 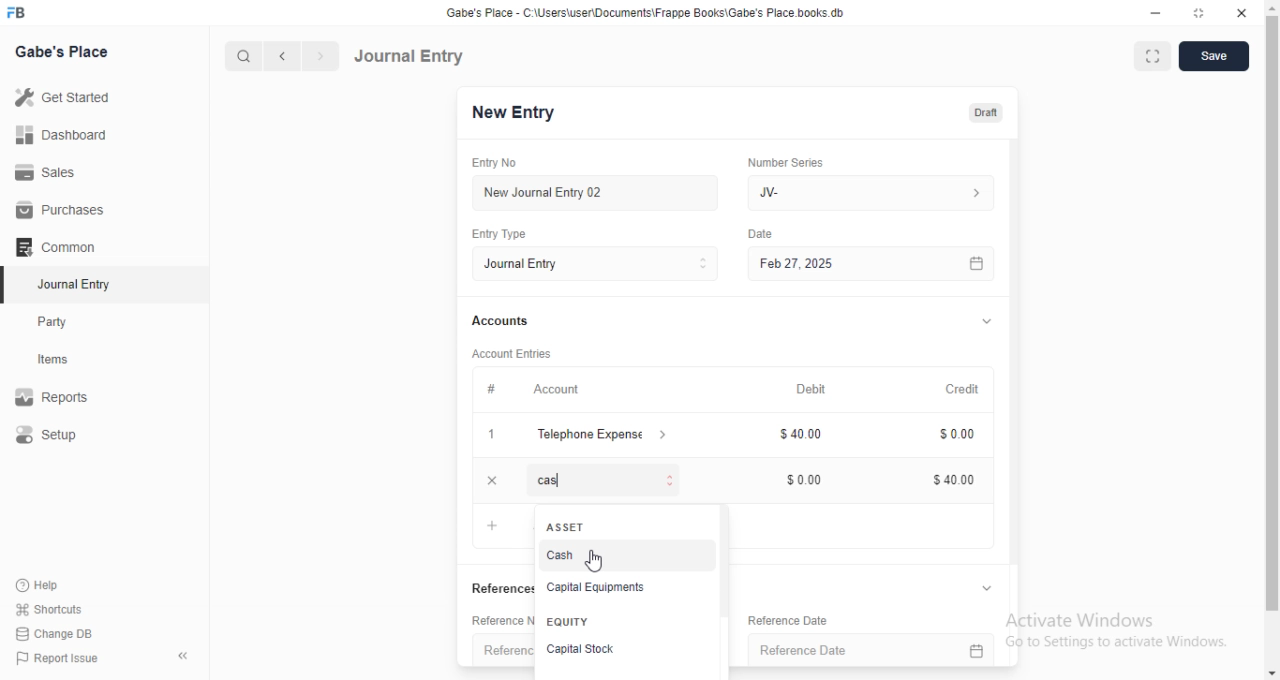 I want to click on ‘Reference Number, so click(x=490, y=650).